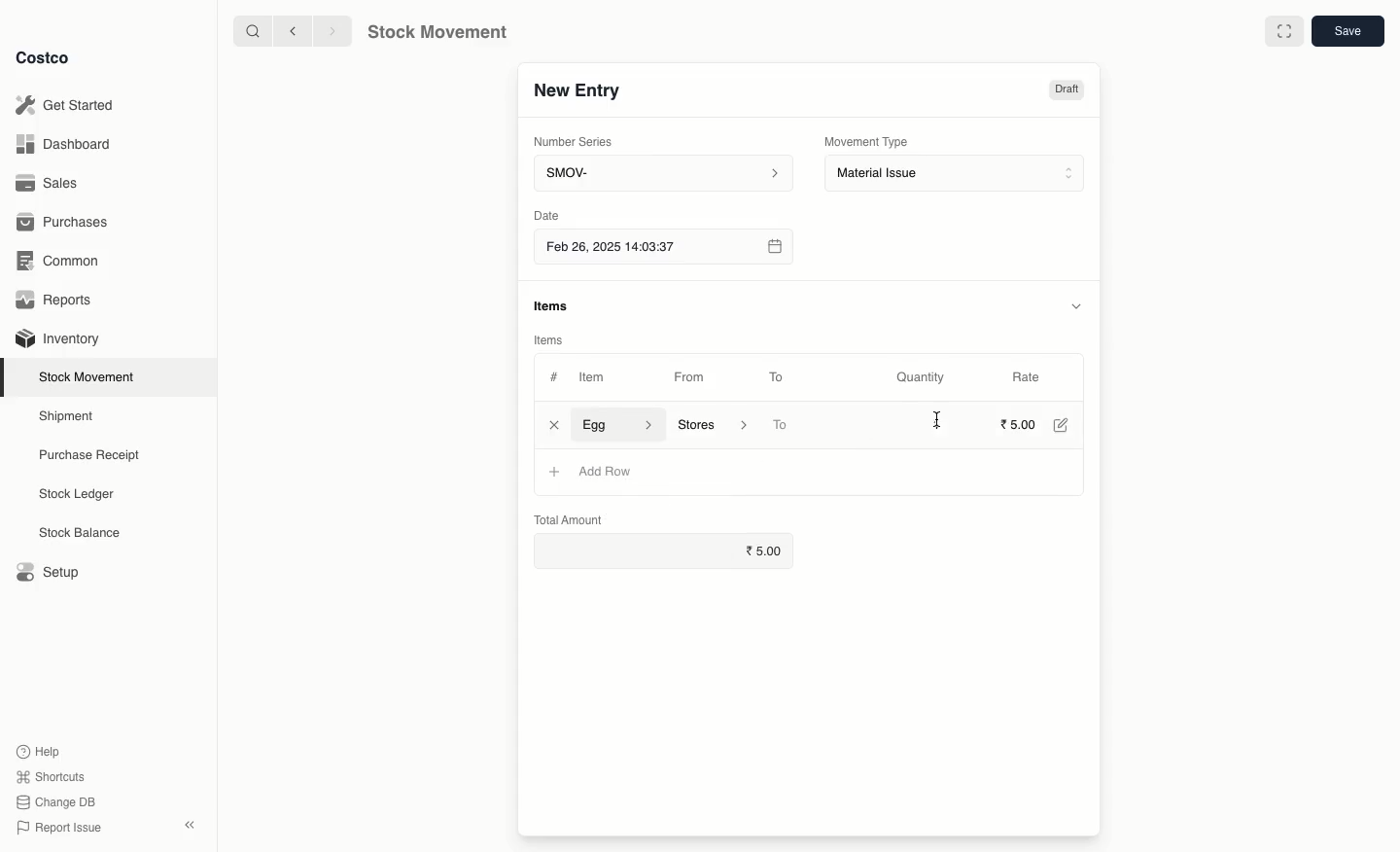  I want to click on Stock Balance, so click(82, 533).